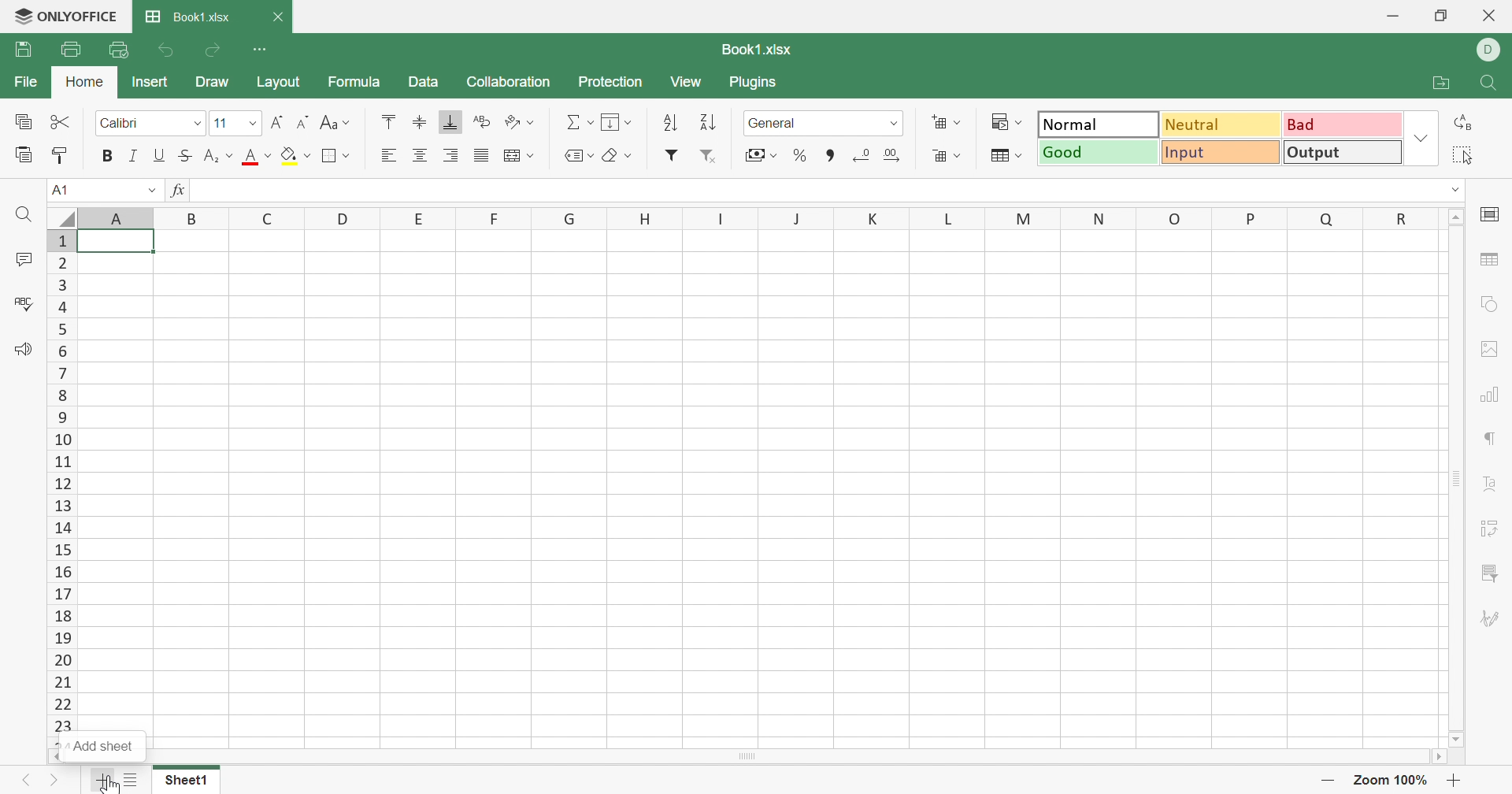 The image size is (1512, 794). What do you see at coordinates (1456, 217) in the screenshot?
I see `Scroll Up` at bounding box center [1456, 217].